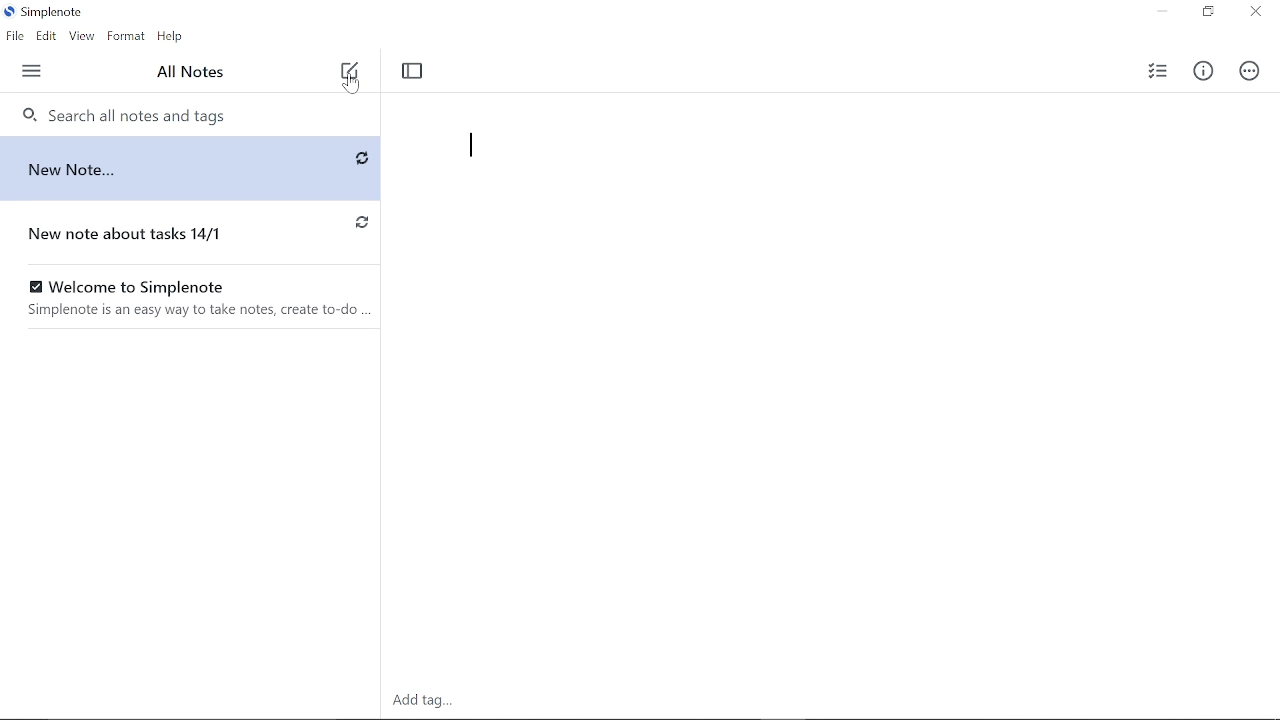  Describe the element at coordinates (155, 168) in the screenshot. I see `New note...` at that location.